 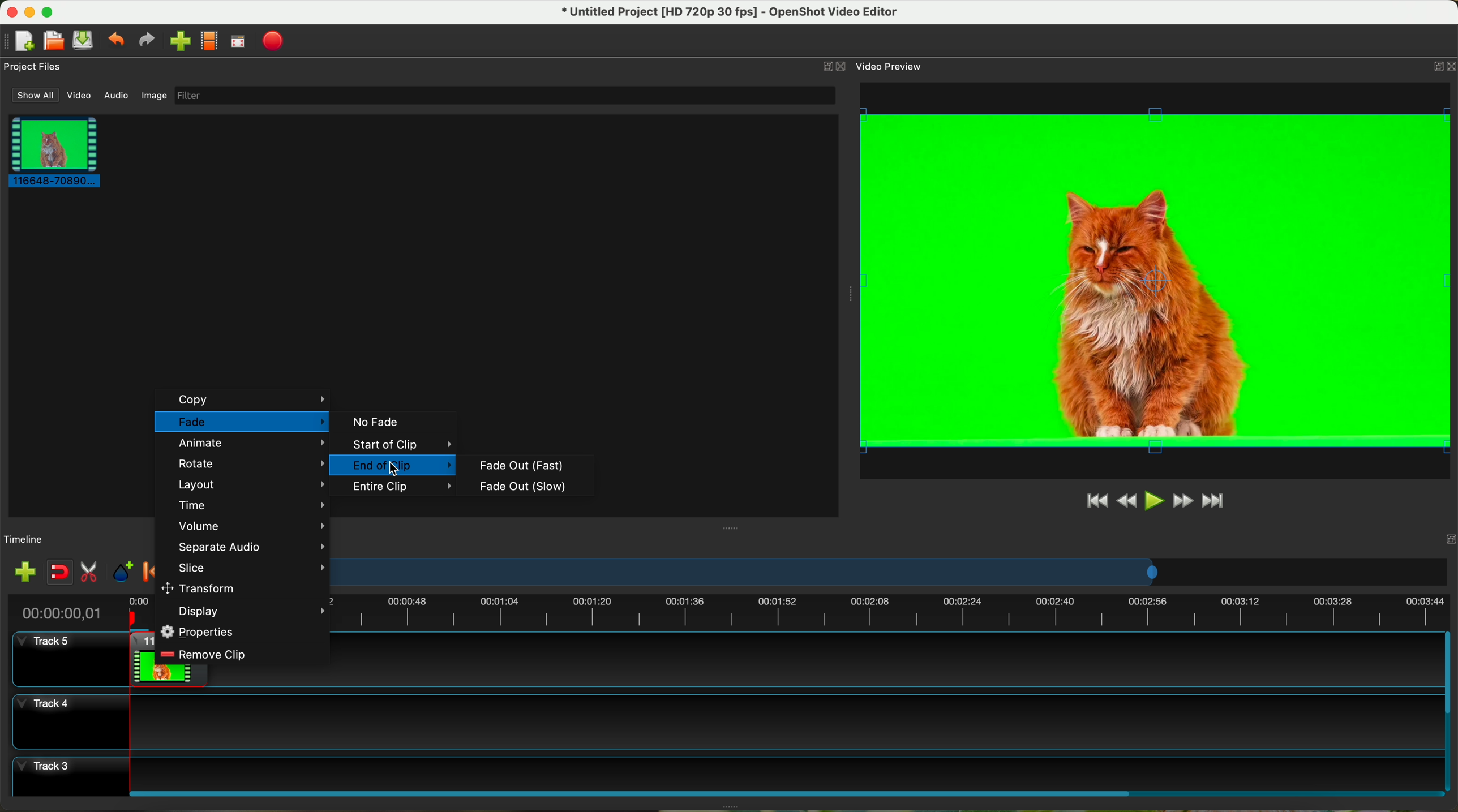 I want to click on start of clip, so click(x=395, y=445).